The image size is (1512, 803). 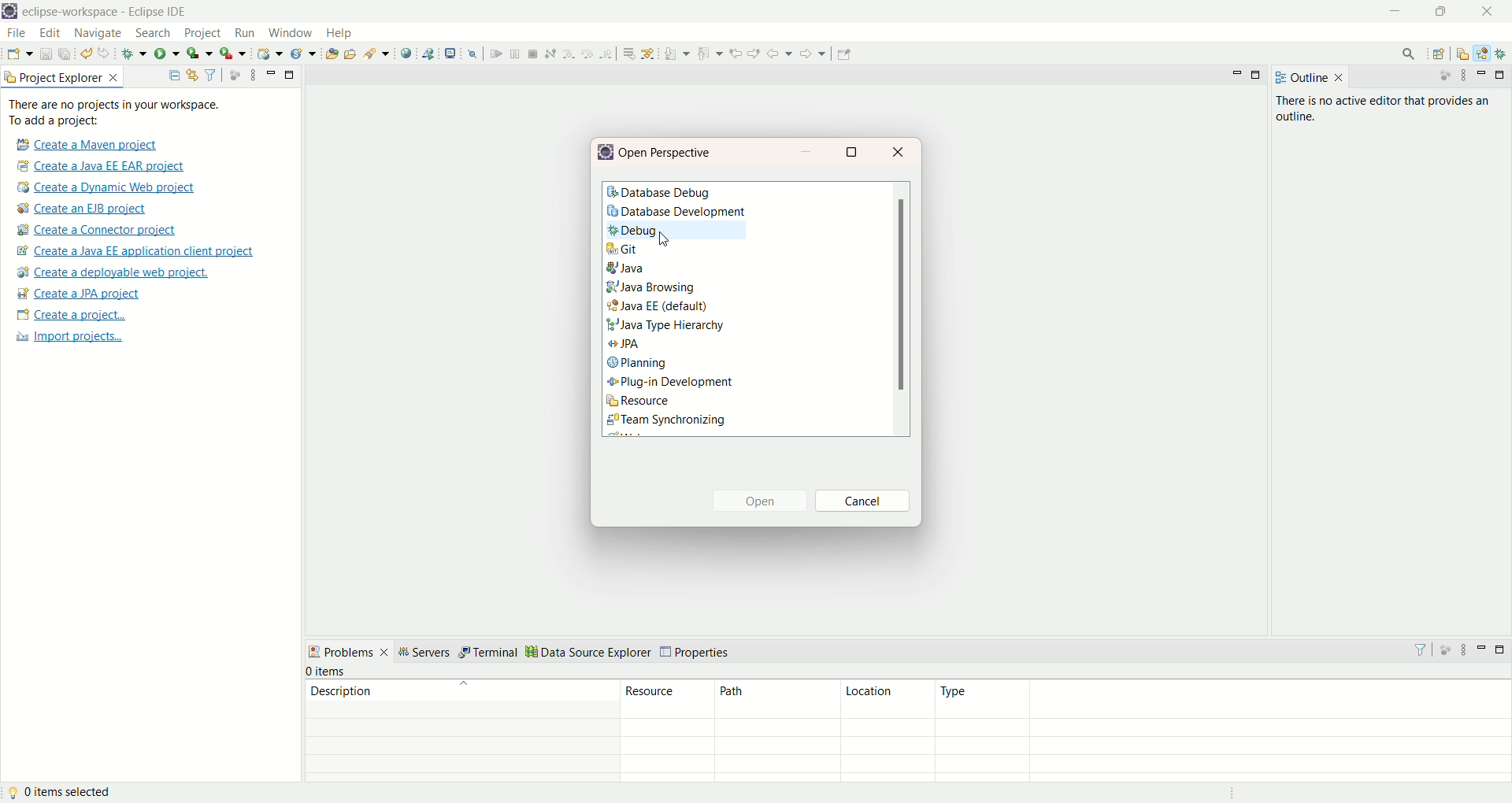 I want to click on close, so click(x=899, y=153).